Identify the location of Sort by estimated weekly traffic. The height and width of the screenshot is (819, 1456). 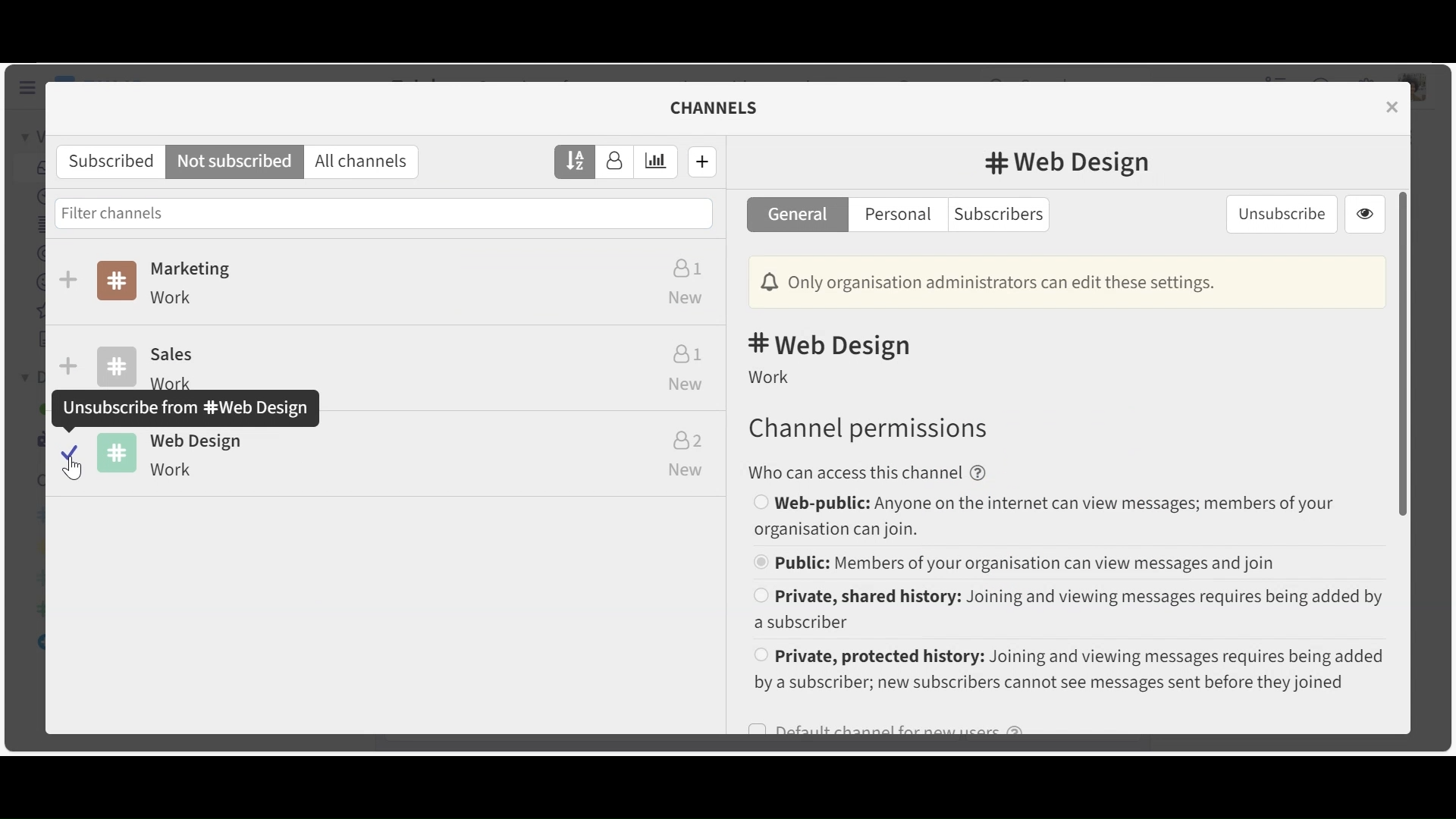
(654, 162).